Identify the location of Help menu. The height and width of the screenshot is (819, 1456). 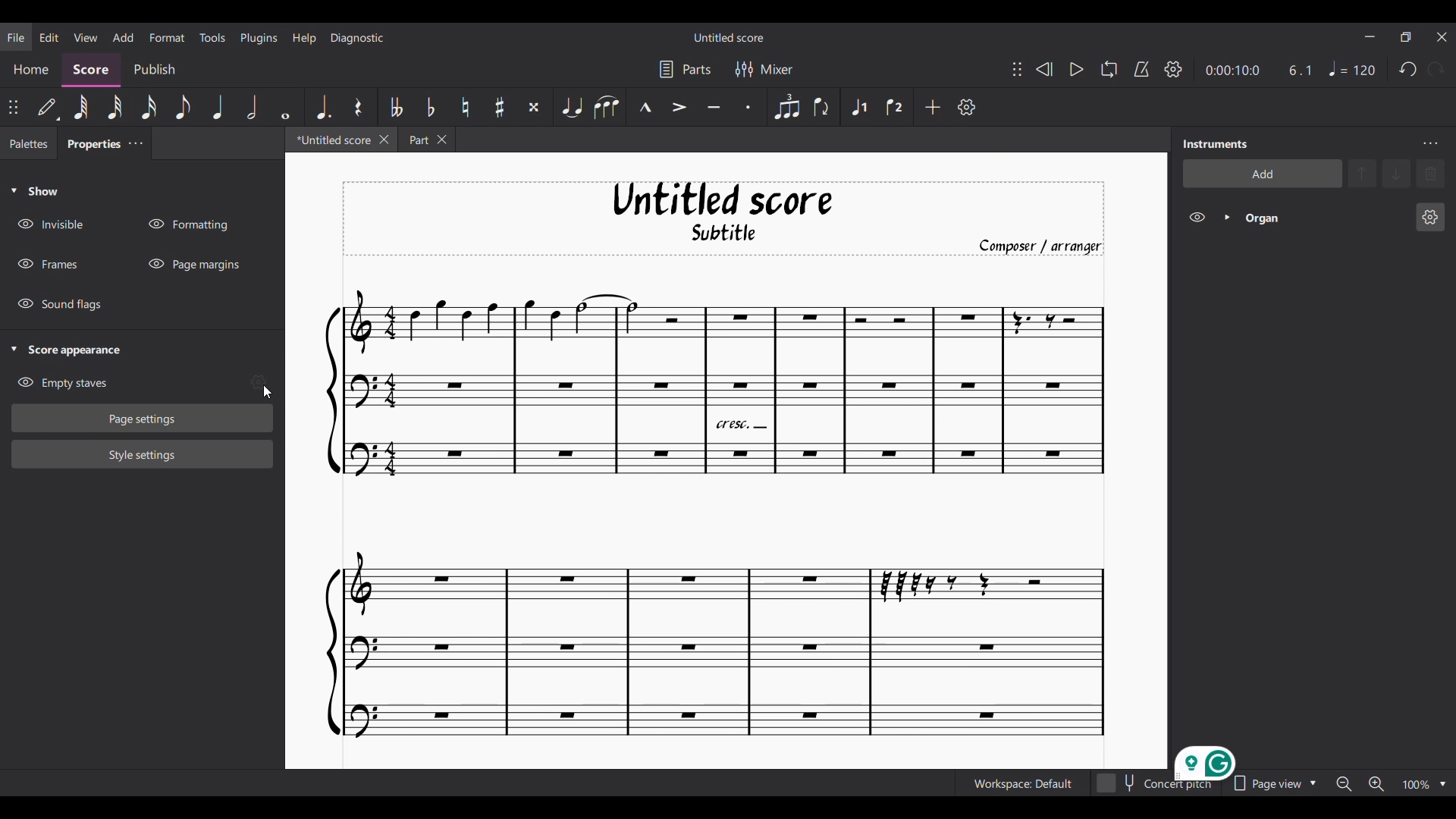
(303, 38).